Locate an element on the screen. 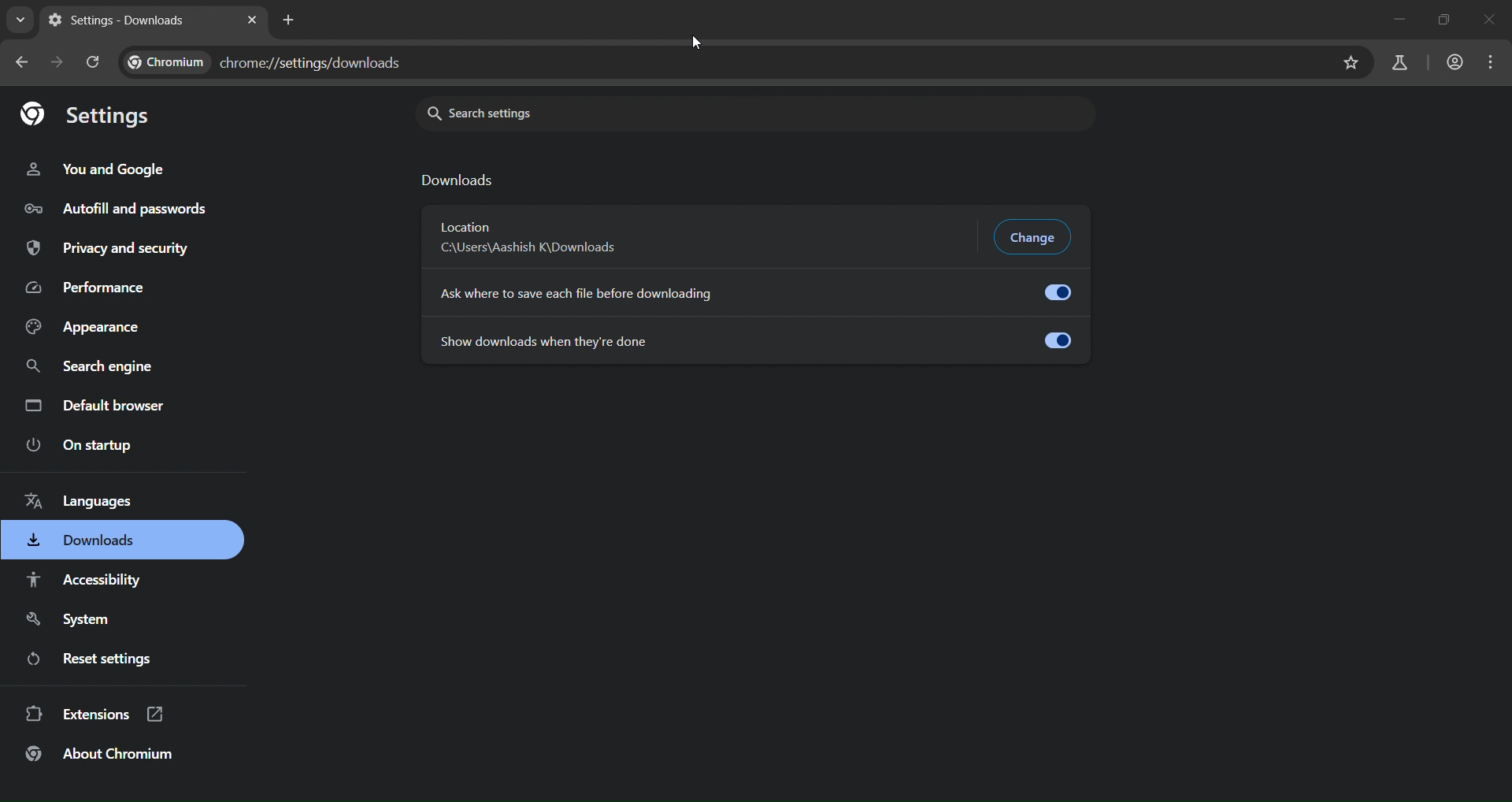 The height and width of the screenshot is (802, 1512). change is located at coordinates (1035, 236).